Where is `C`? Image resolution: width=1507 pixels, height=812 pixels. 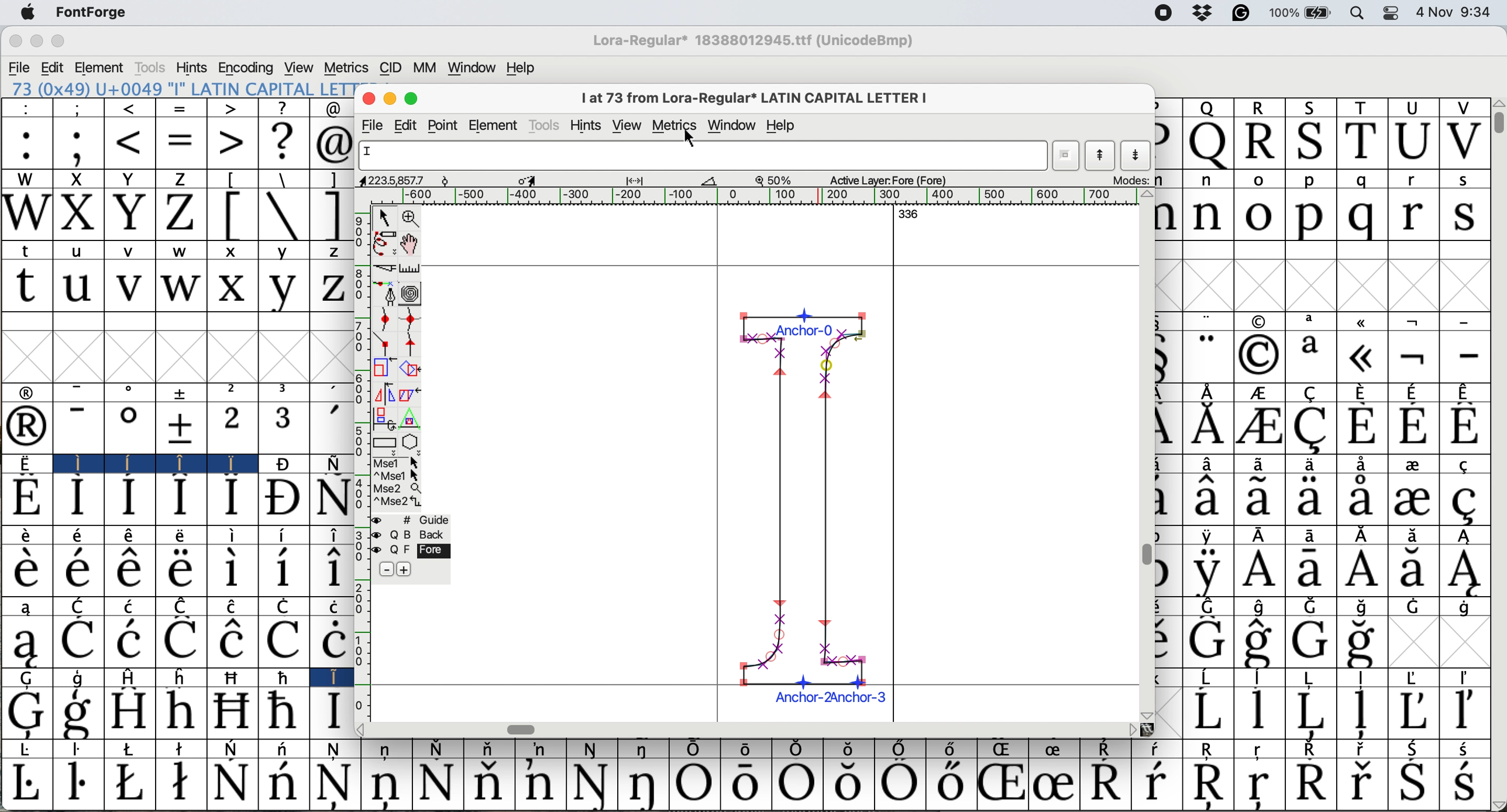 C is located at coordinates (78, 605).